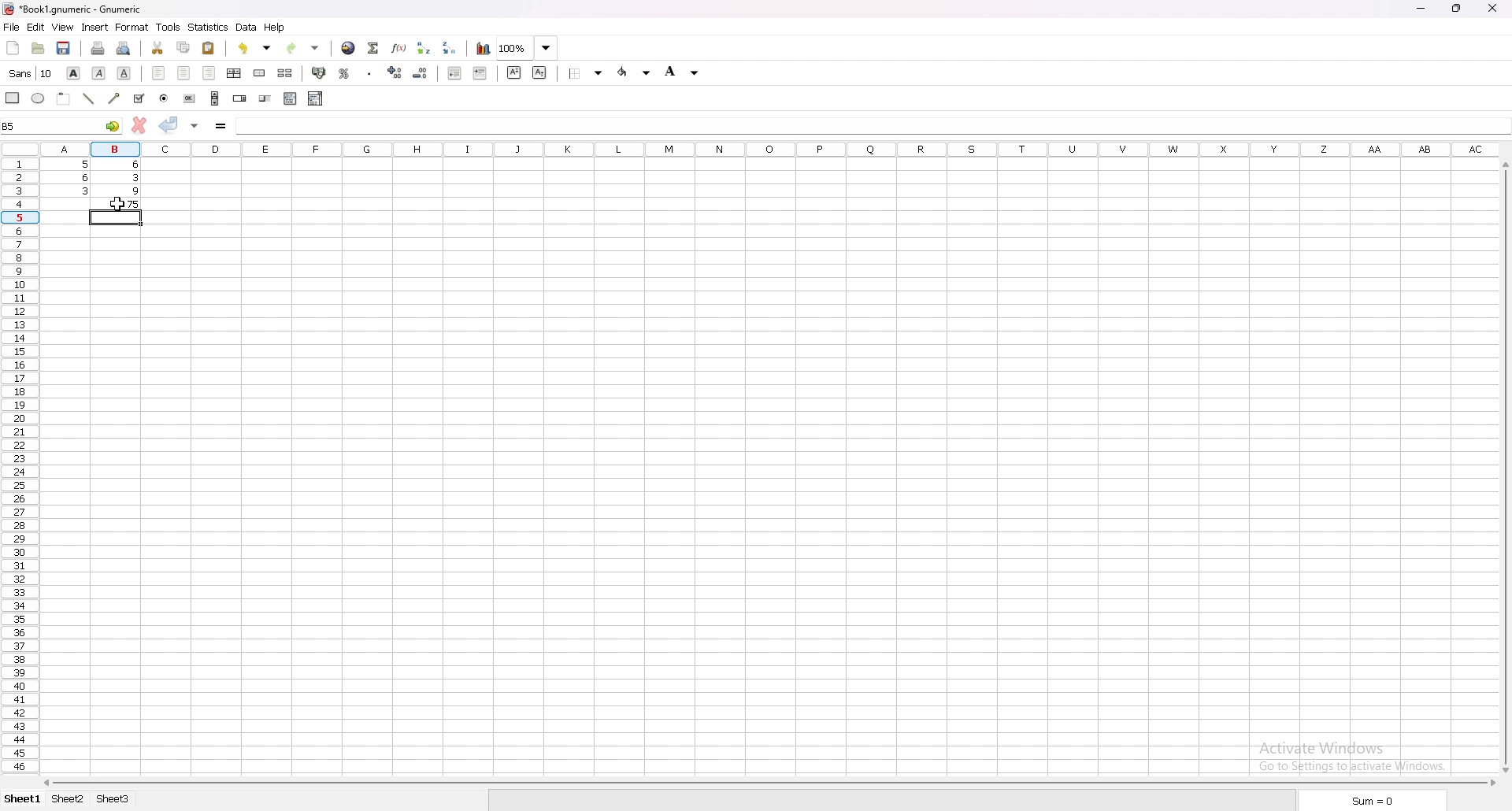 This screenshot has height=811, width=1512. What do you see at coordinates (483, 47) in the screenshot?
I see `chart` at bounding box center [483, 47].